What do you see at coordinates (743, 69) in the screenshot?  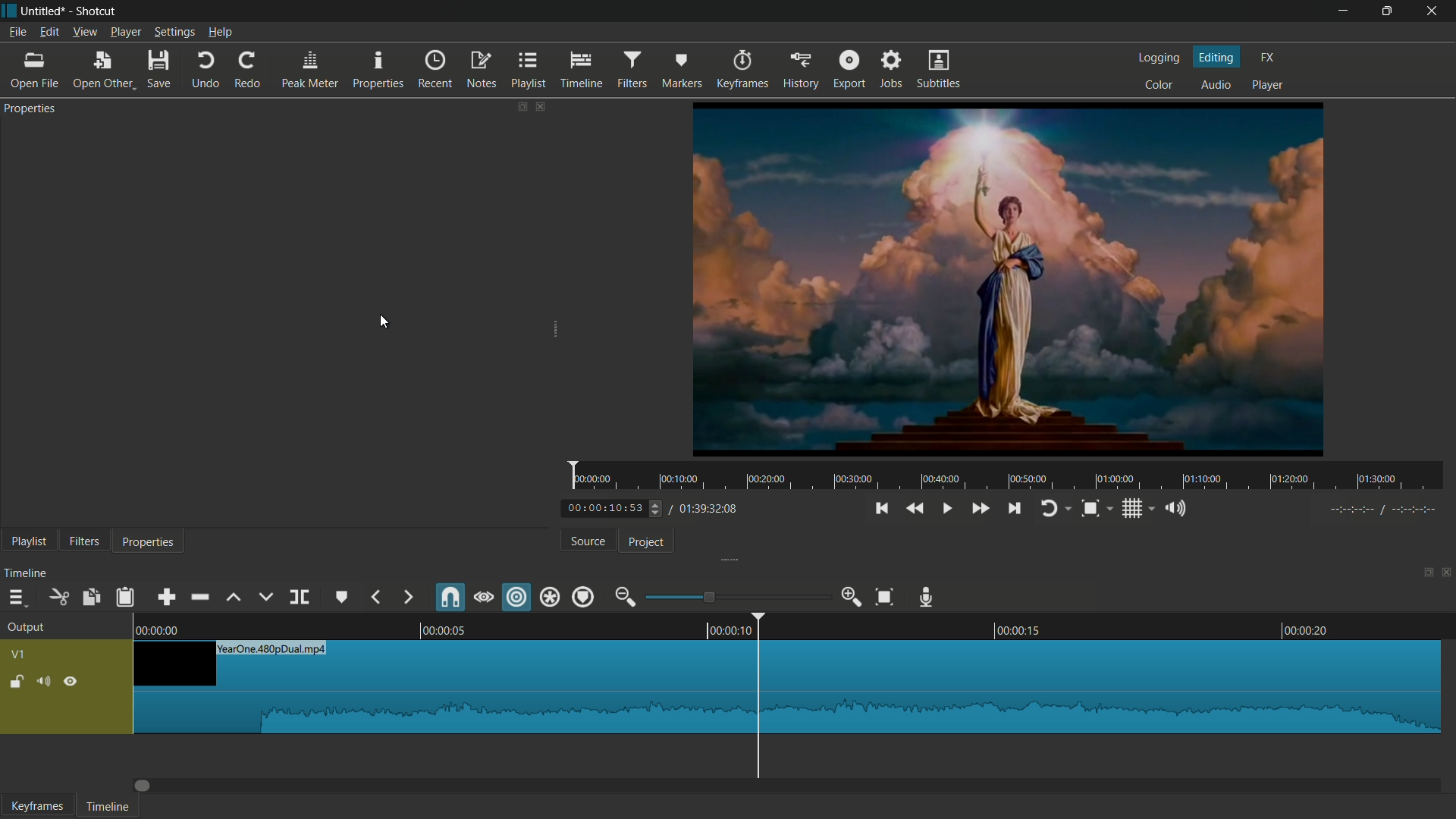 I see `keyframes` at bounding box center [743, 69].